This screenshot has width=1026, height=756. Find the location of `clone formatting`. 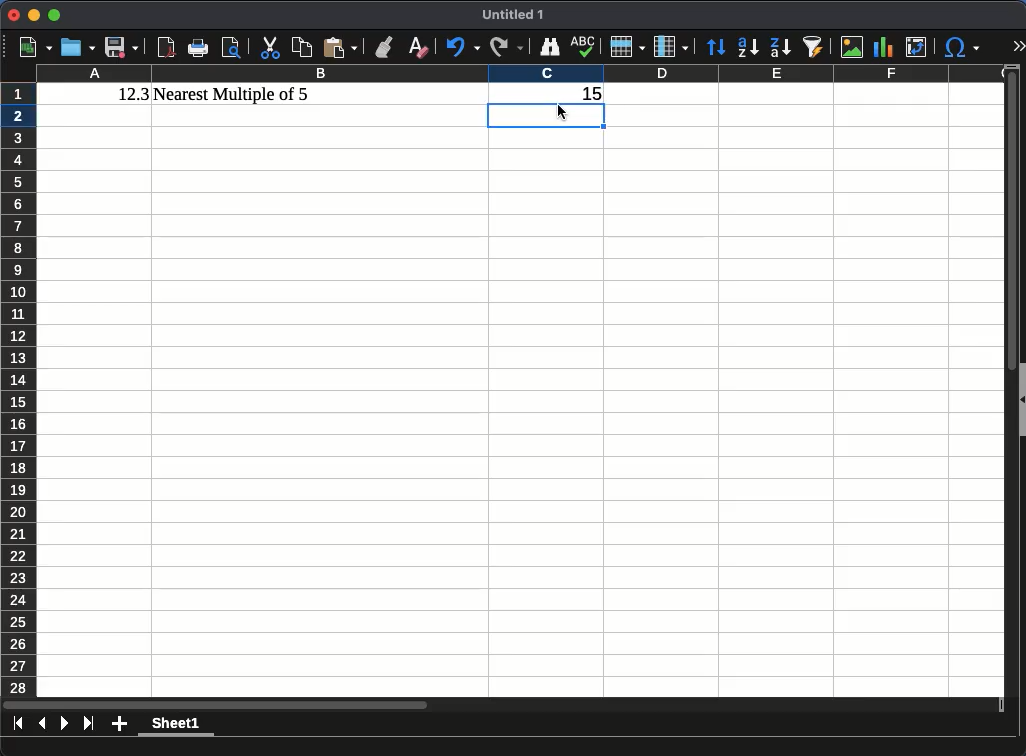

clone formatting is located at coordinates (383, 47).